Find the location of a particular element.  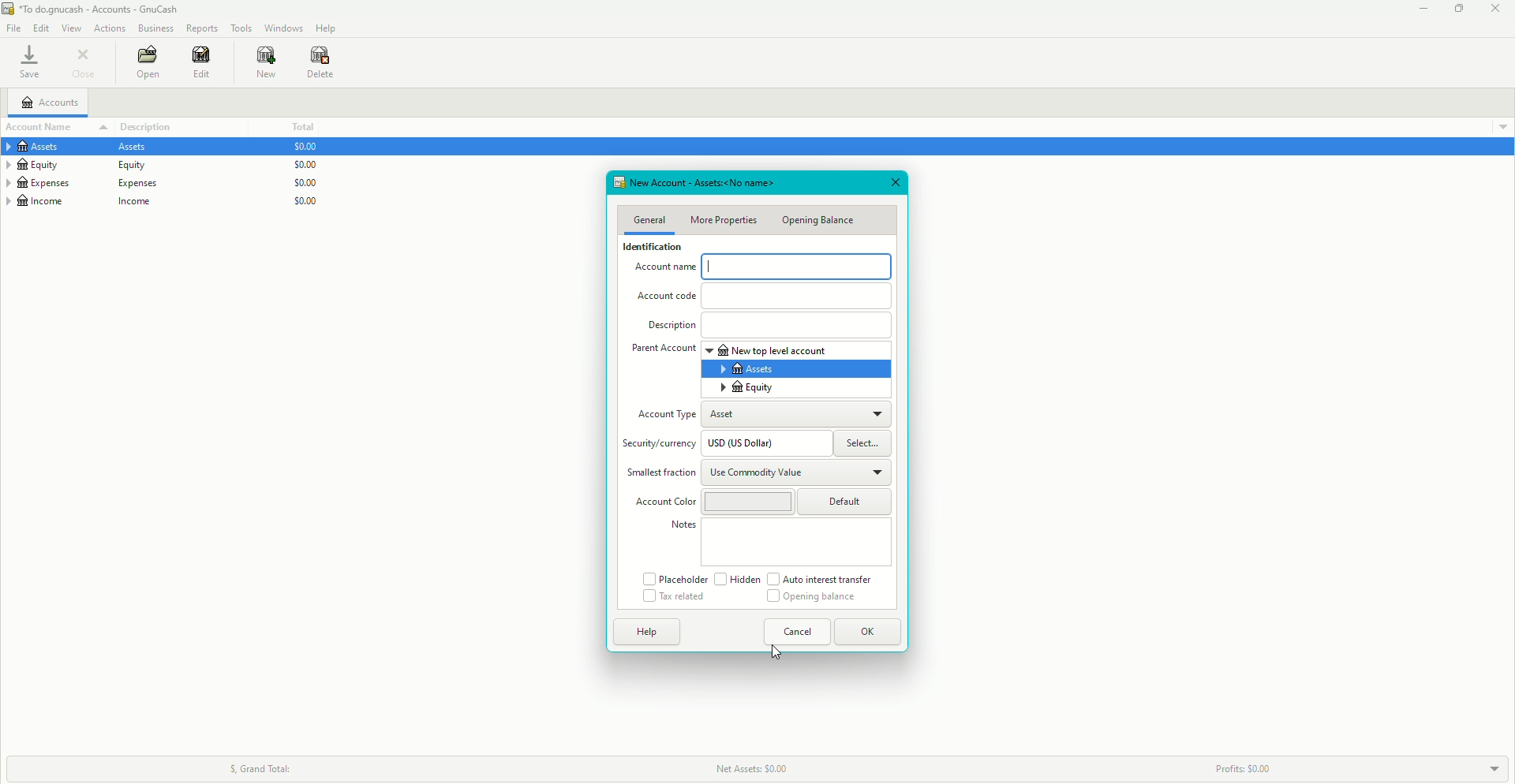

Assets is located at coordinates (749, 368).